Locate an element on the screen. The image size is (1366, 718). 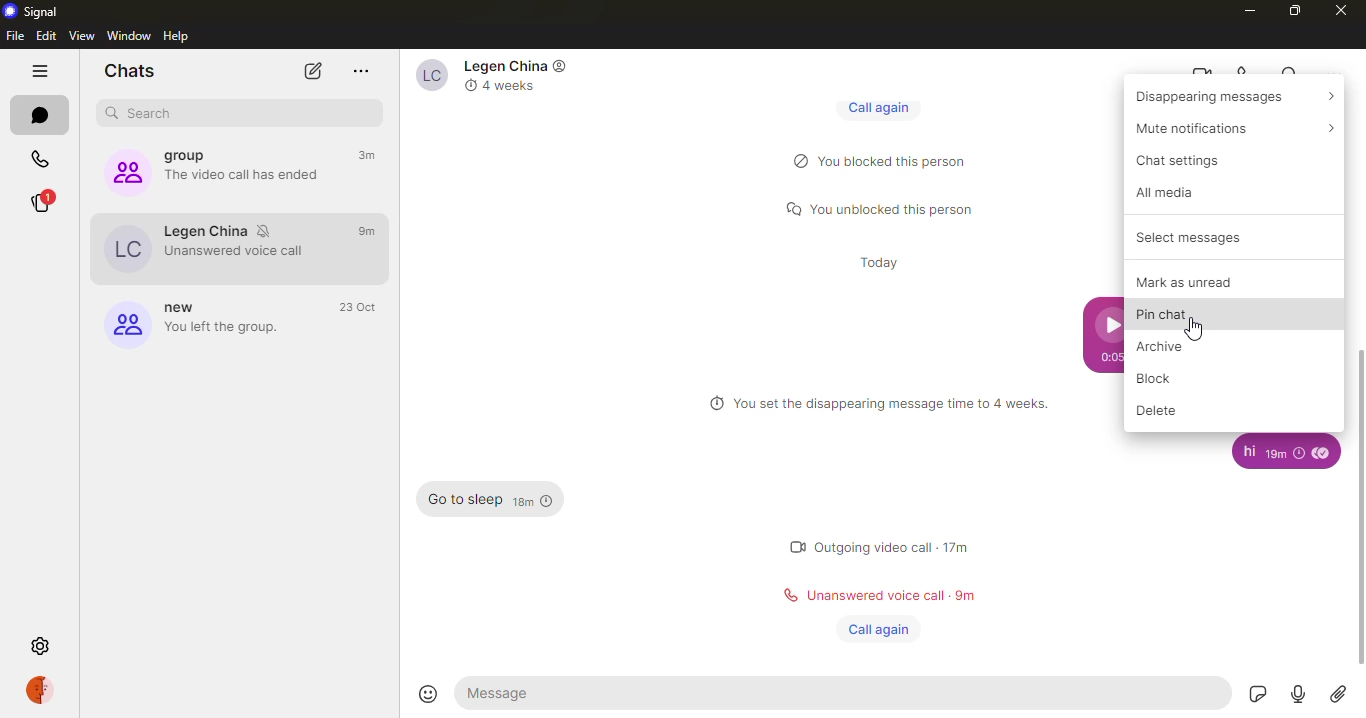
edit is located at coordinates (46, 35).